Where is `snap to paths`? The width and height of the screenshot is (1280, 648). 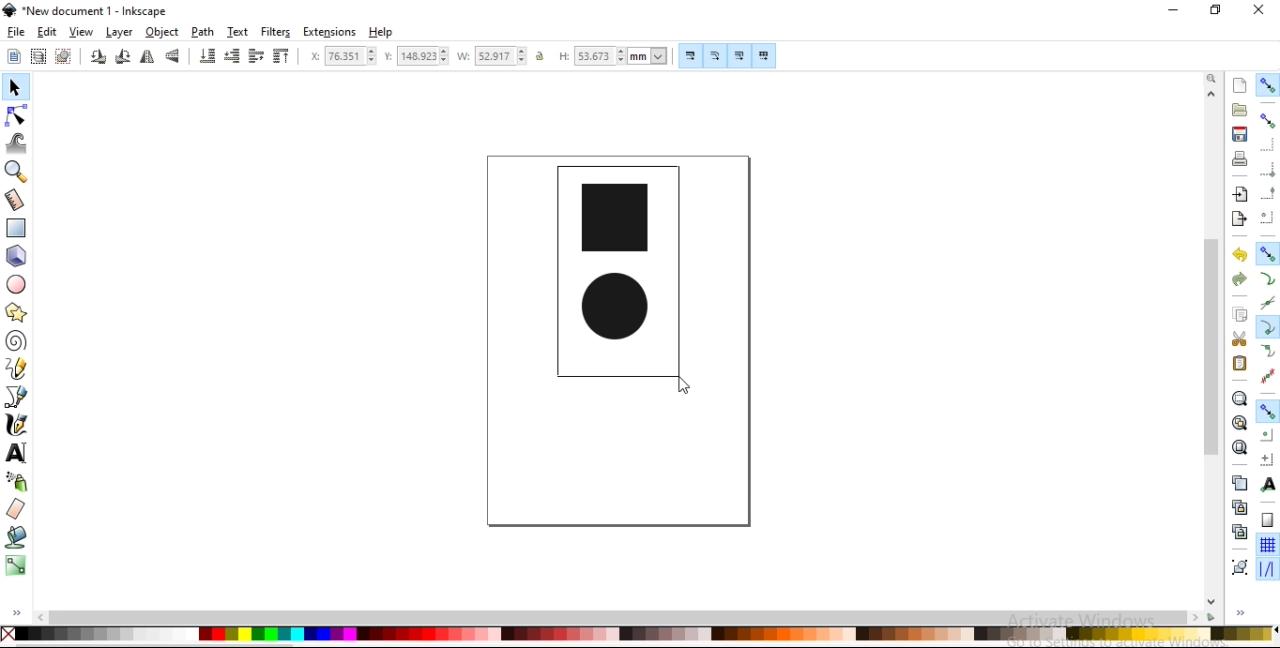
snap to paths is located at coordinates (1268, 277).